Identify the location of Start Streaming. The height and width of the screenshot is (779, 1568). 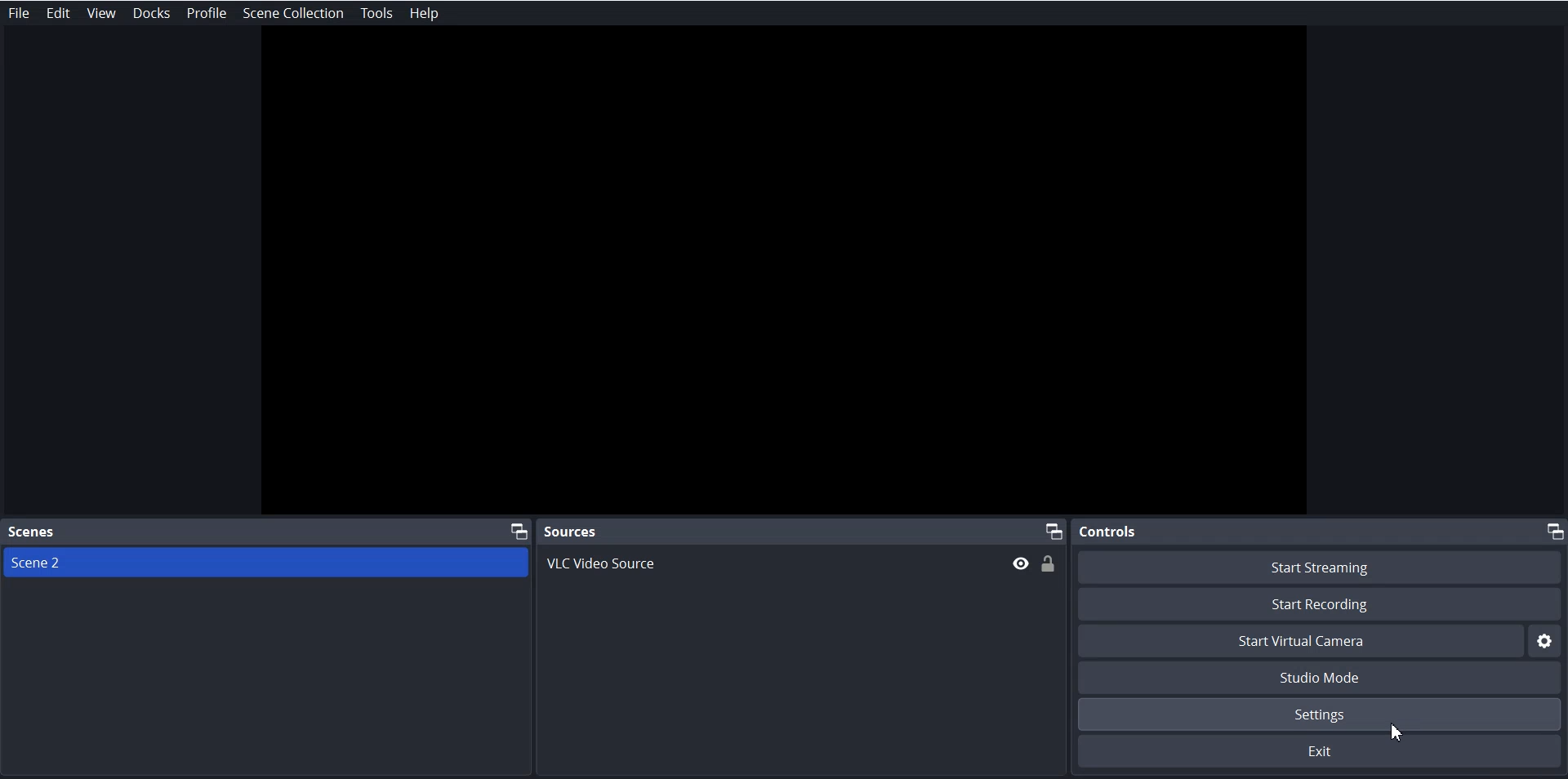
(1322, 566).